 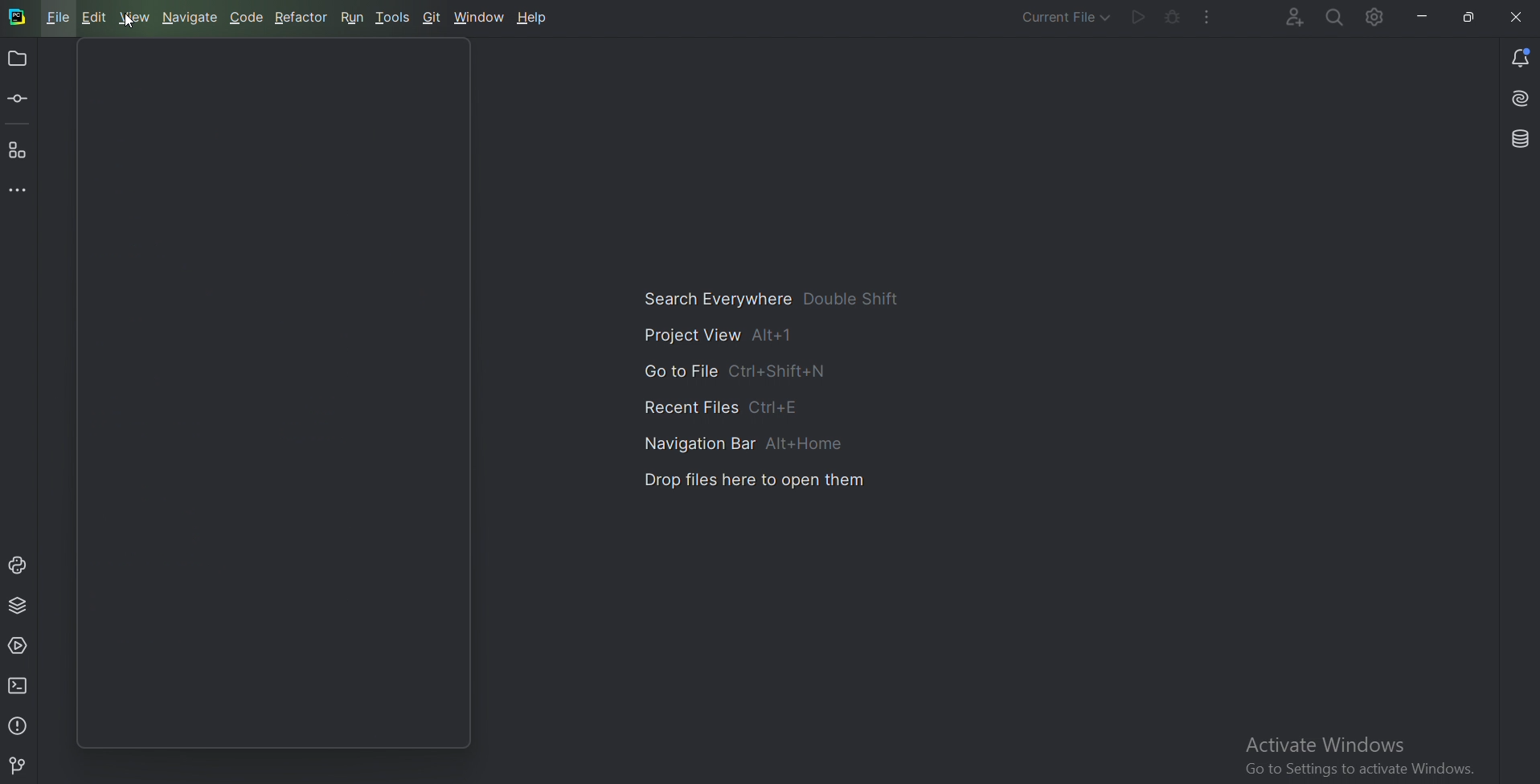 What do you see at coordinates (247, 16) in the screenshot?
I see `Code` at bounding box center [247, 16].